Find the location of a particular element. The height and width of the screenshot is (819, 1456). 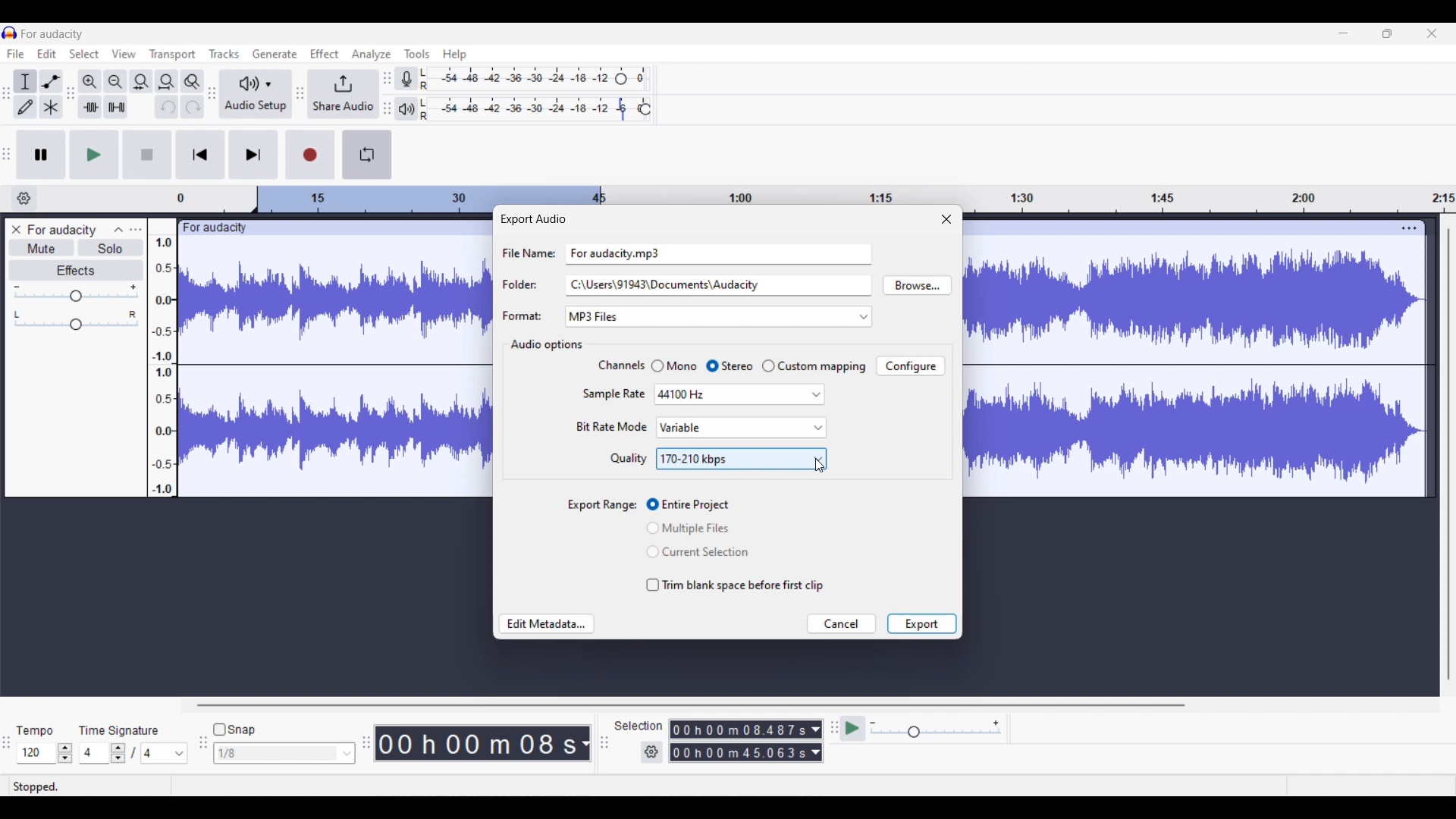

Input time signature is located at coordinates (93, 753).